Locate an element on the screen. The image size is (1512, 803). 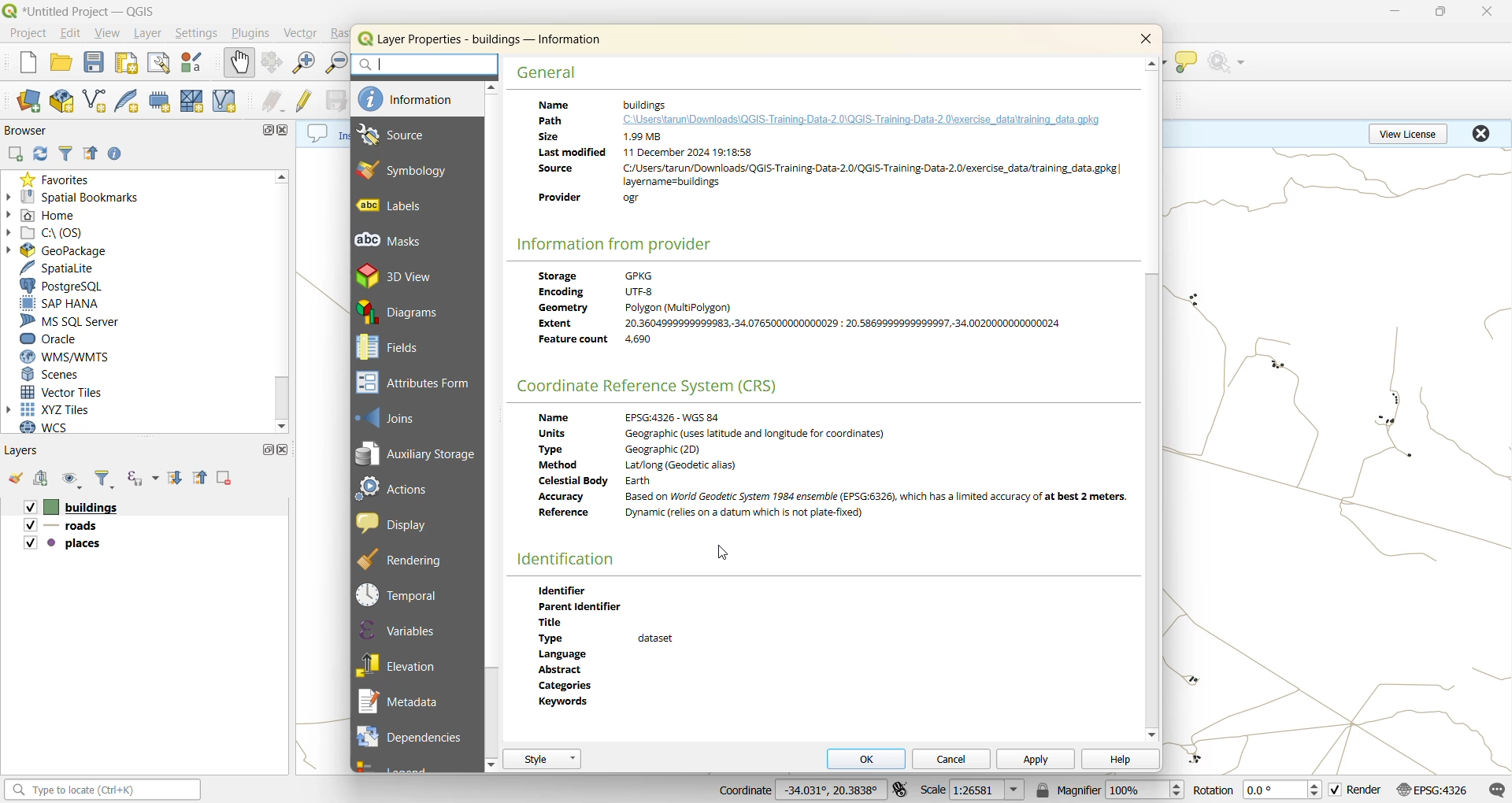
settings is located at coordinates (197, 35).